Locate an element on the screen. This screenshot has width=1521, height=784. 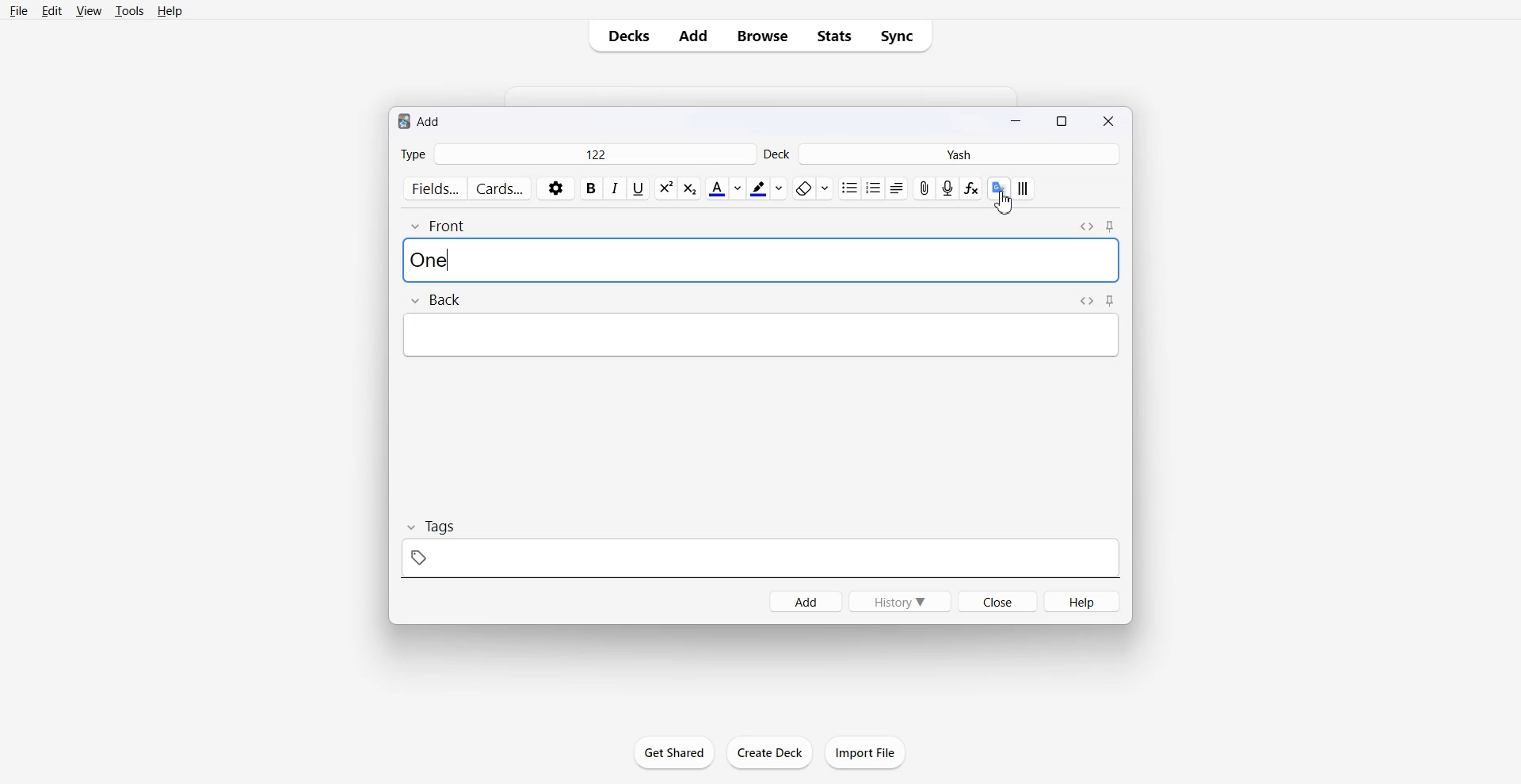
Equation is located at coordinates (972, 189).